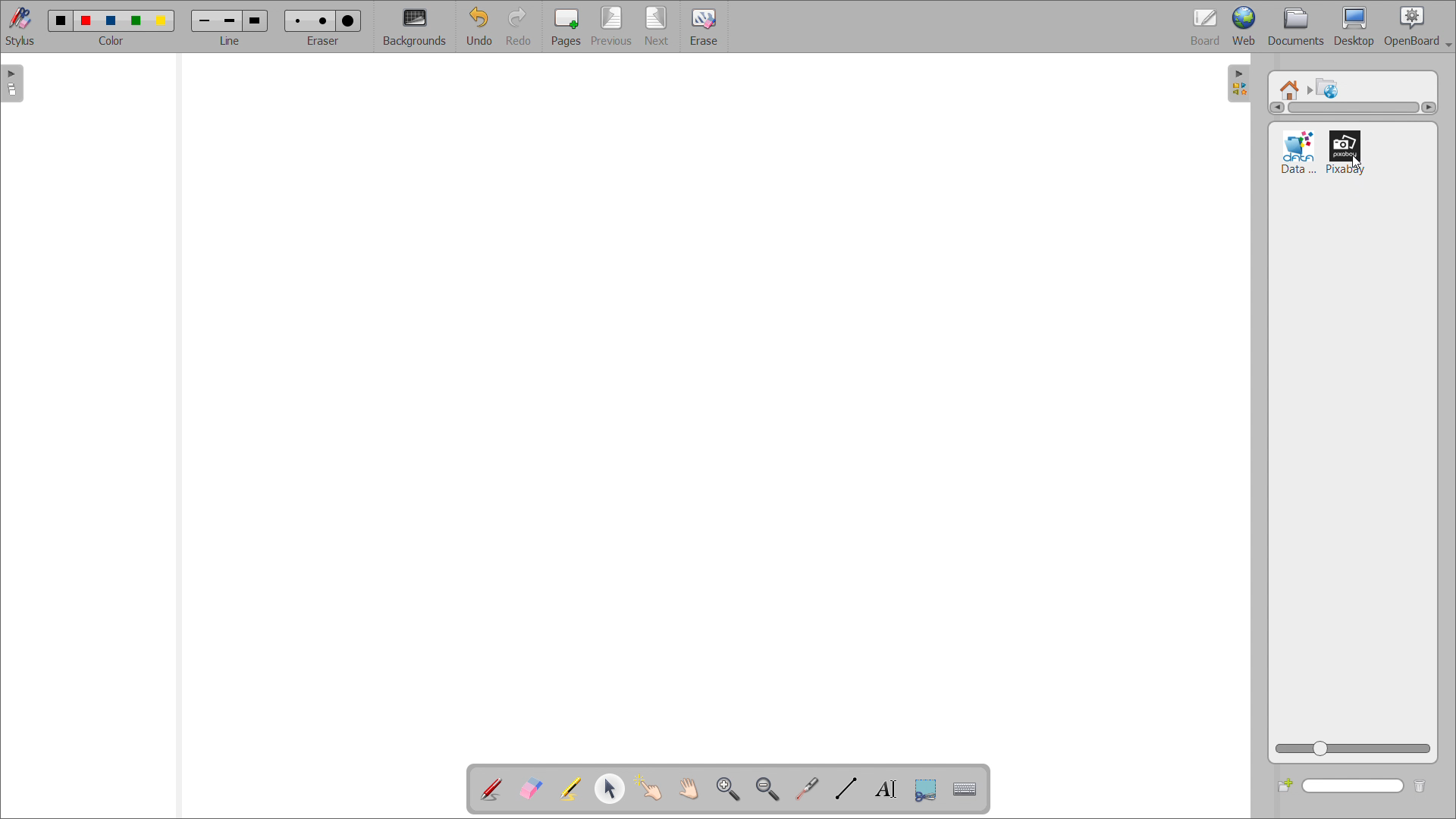 The width and height of the screenshot is (1456, 819). Describe the element at coordinates (163, 20) in the screenshot. I see `Color 5` at that location.